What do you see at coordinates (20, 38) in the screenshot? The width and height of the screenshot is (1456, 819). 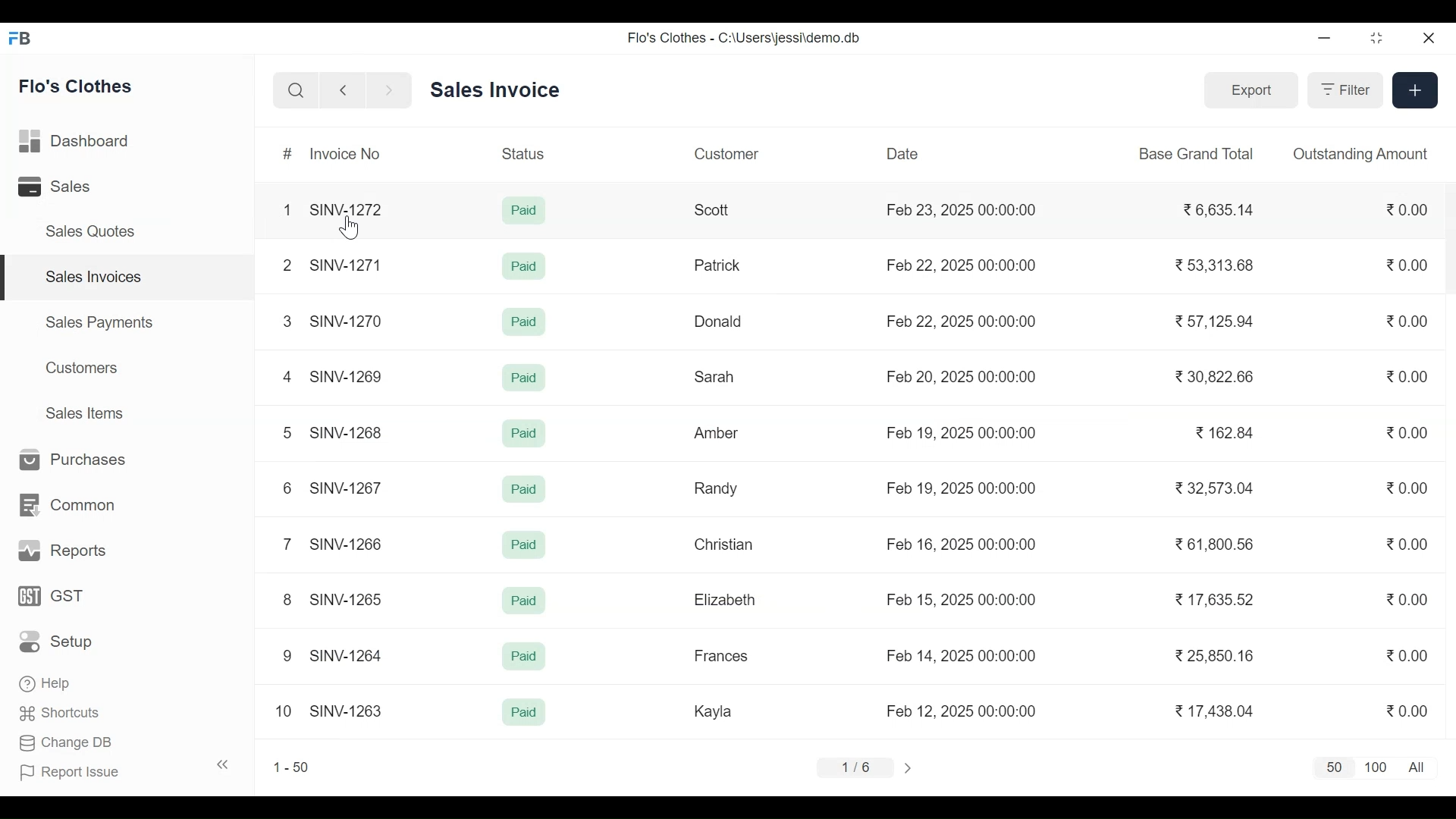 I see `Frappe Books Desktop Icon` at bounding box center [20, 38].